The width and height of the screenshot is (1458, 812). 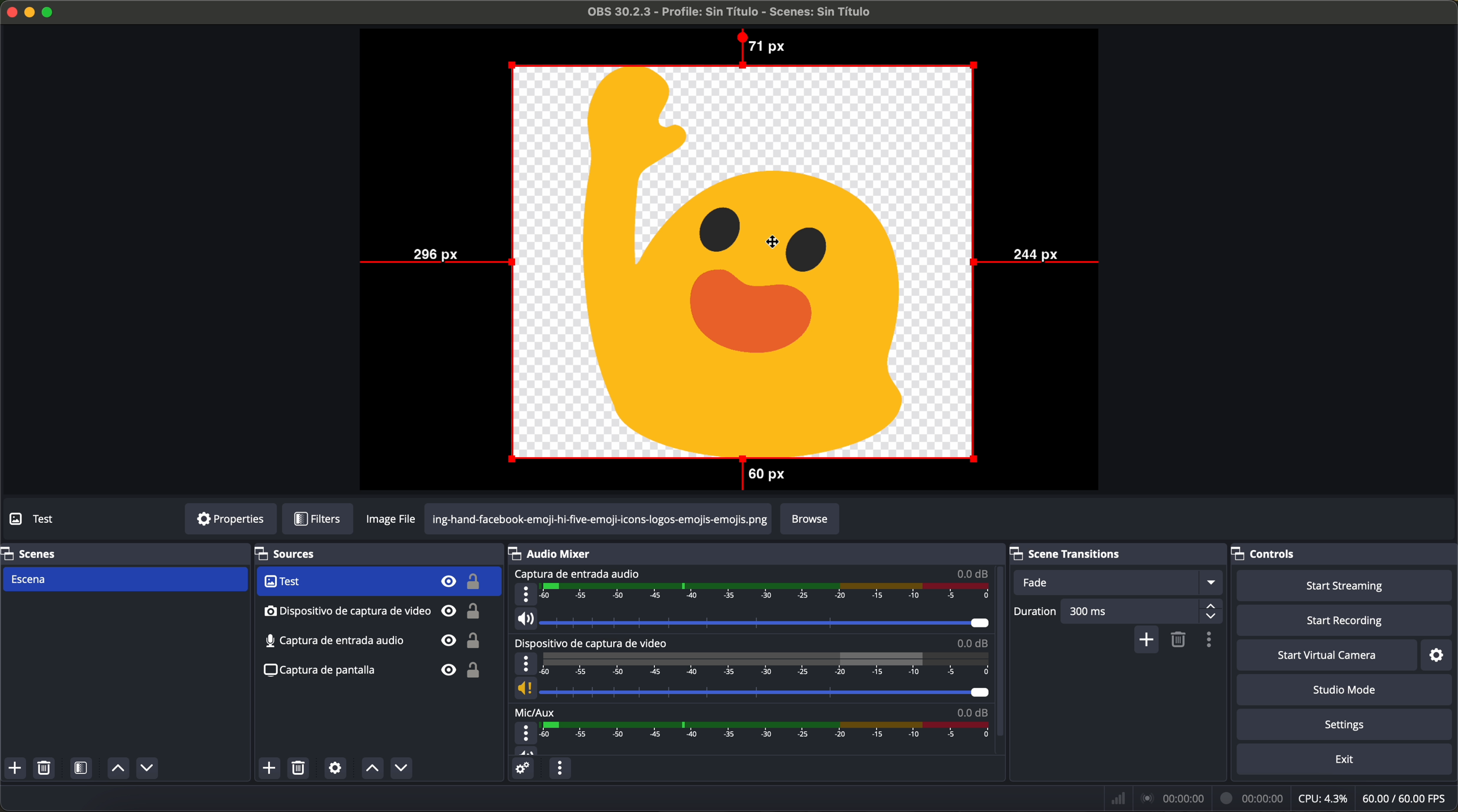 What do you see at coordinates (535, 711) in the screenshot?
I see `mic/aux` at bounding box center [535, 711].